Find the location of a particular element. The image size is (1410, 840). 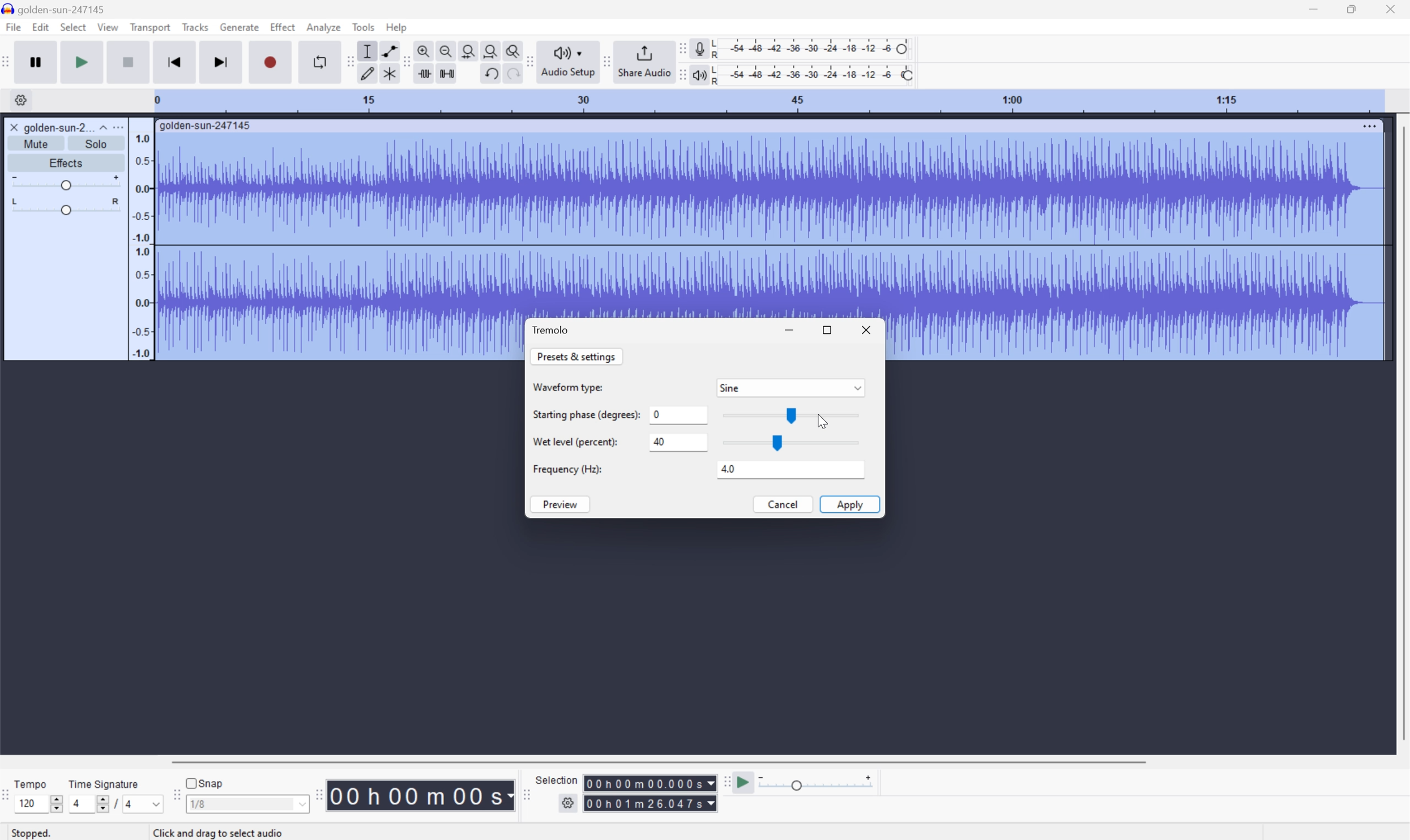

Cancel is located at coordinates (782, 505).